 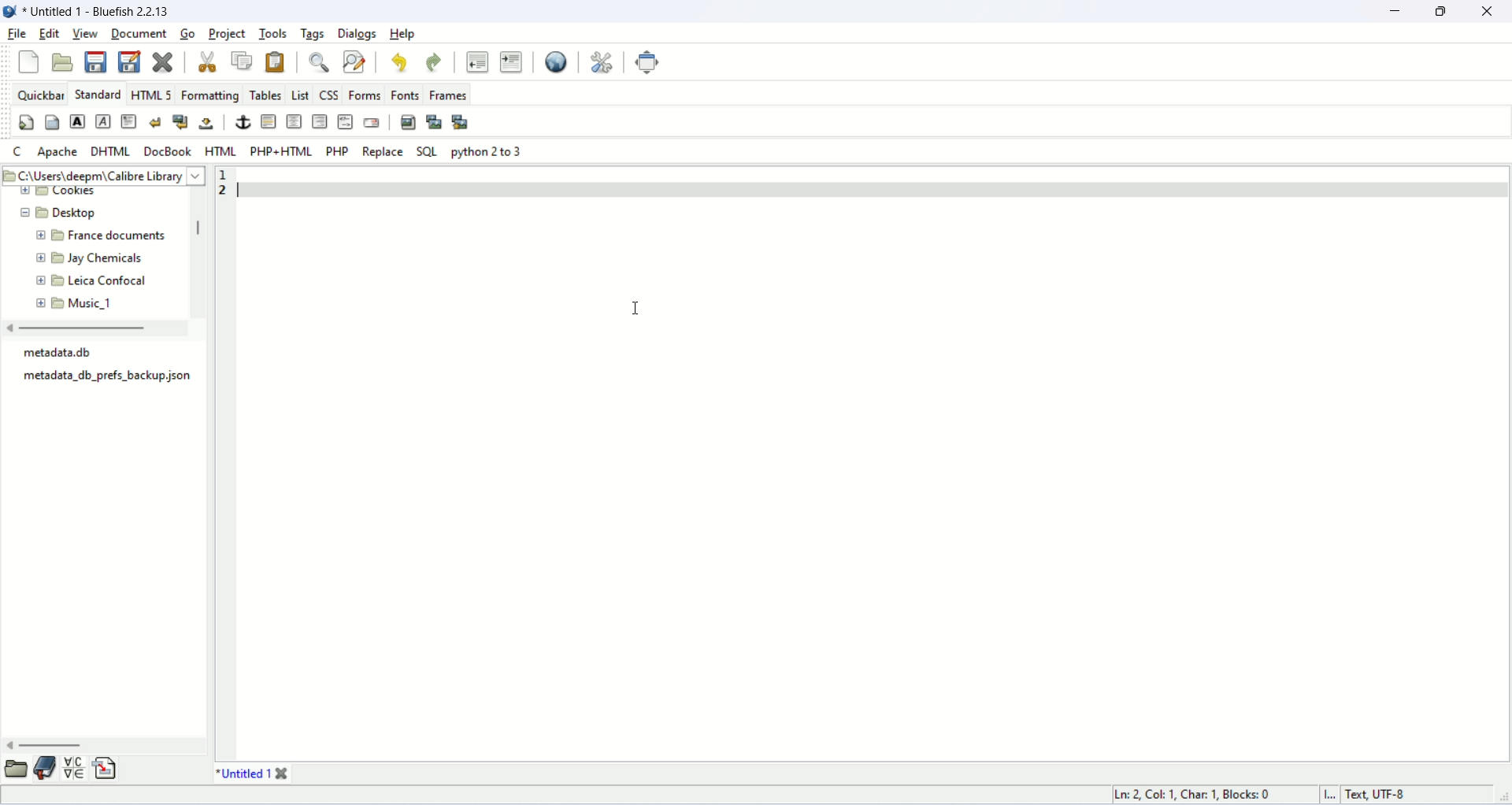 What do you see at coordinates (371, 122) in the screenshot?
I see `email` at bounding box center [371, 122].